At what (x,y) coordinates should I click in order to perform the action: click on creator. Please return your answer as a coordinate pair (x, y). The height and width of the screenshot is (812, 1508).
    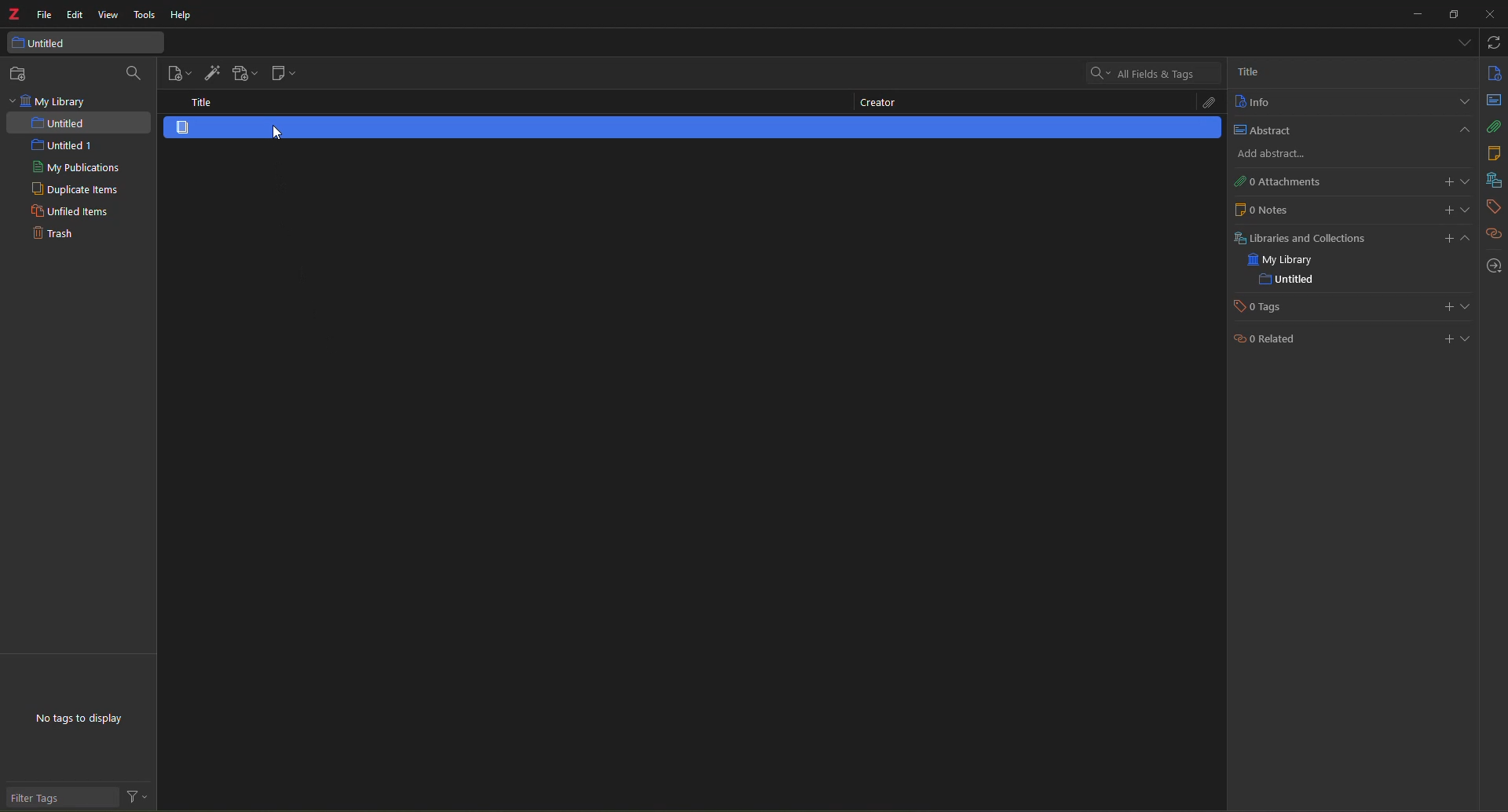
    Looking at the image, I should click on (876, 104).